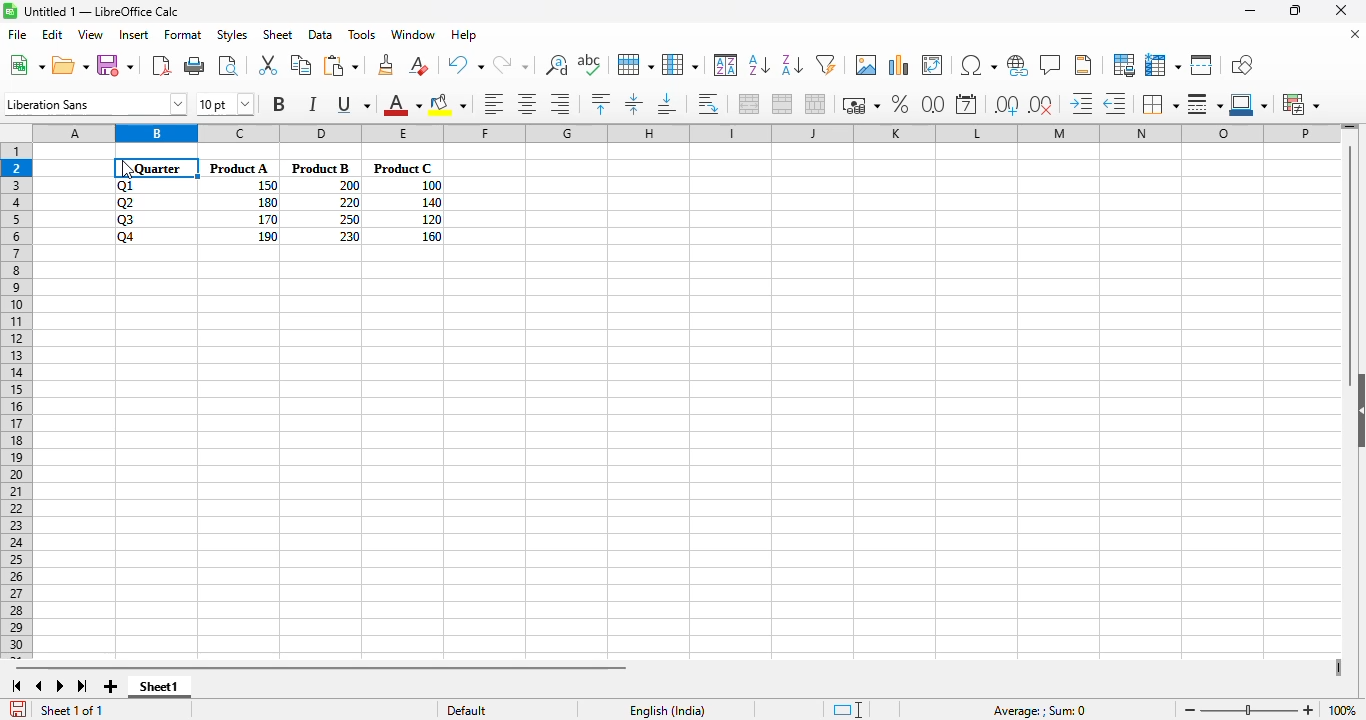 The image size is (1366, 720). I want to click on merge cells, so click(782, 103).